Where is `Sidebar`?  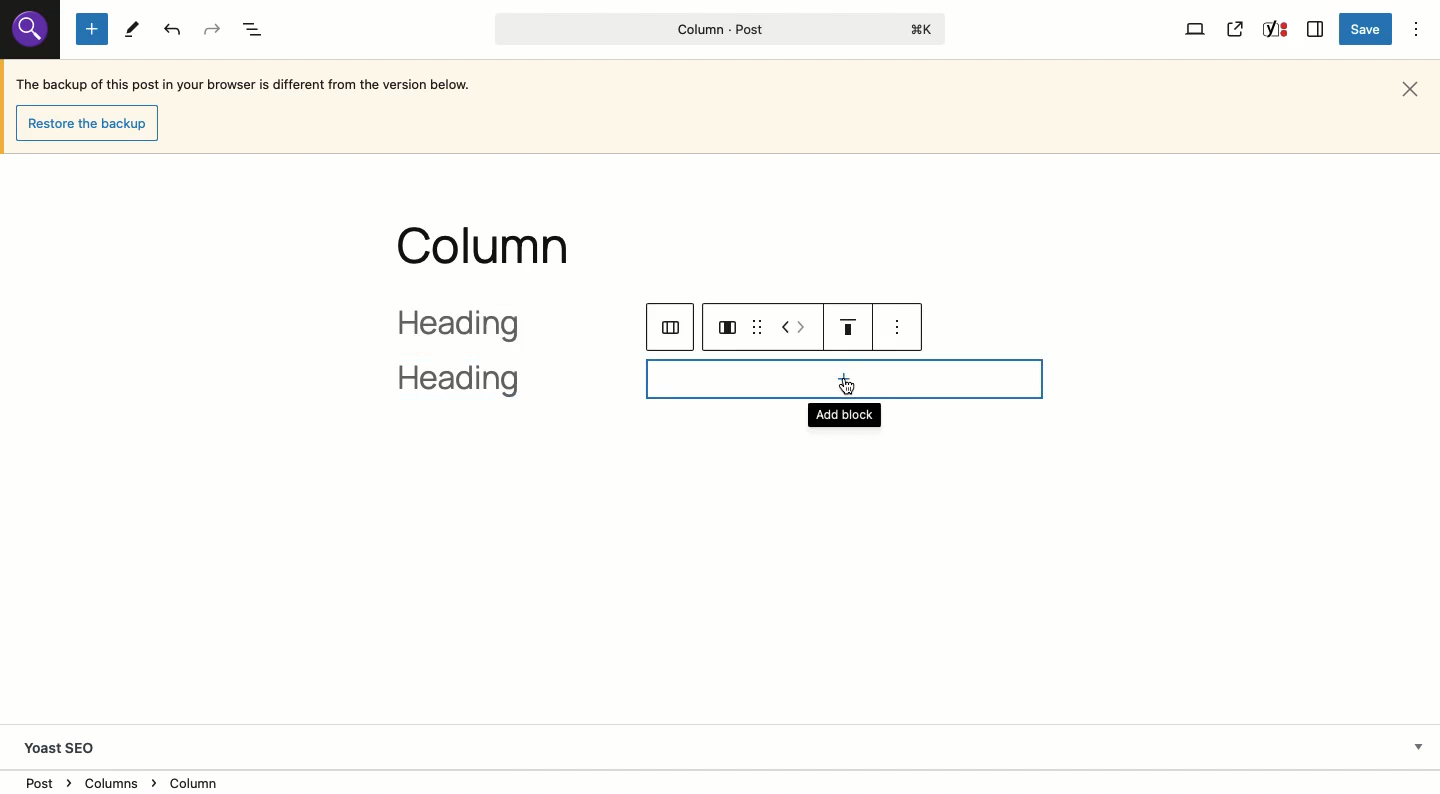
Sidebar is located at coordinates (1316, 27).